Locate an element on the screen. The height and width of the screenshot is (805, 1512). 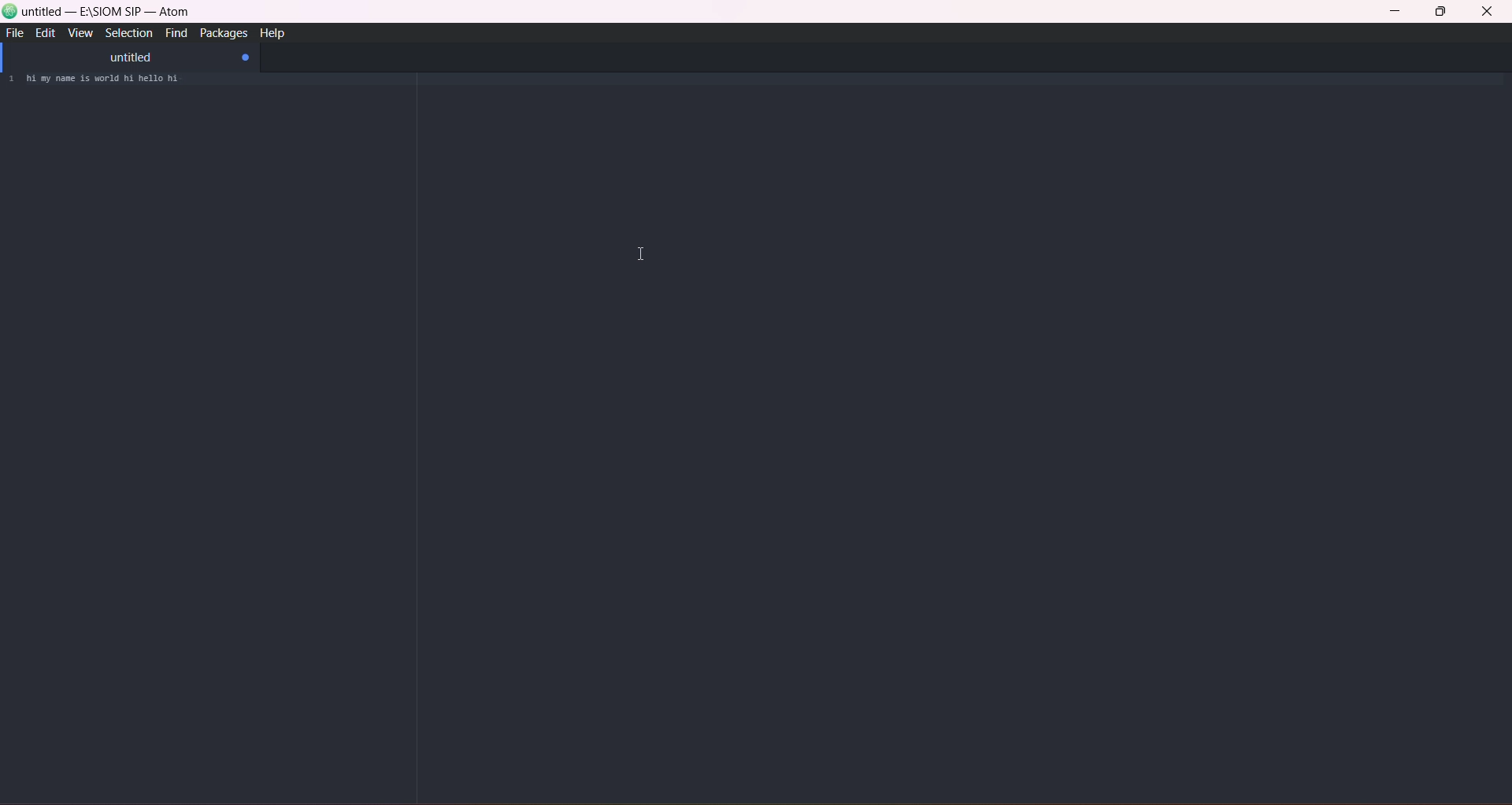
close tab is located at coordinates (246, 58).